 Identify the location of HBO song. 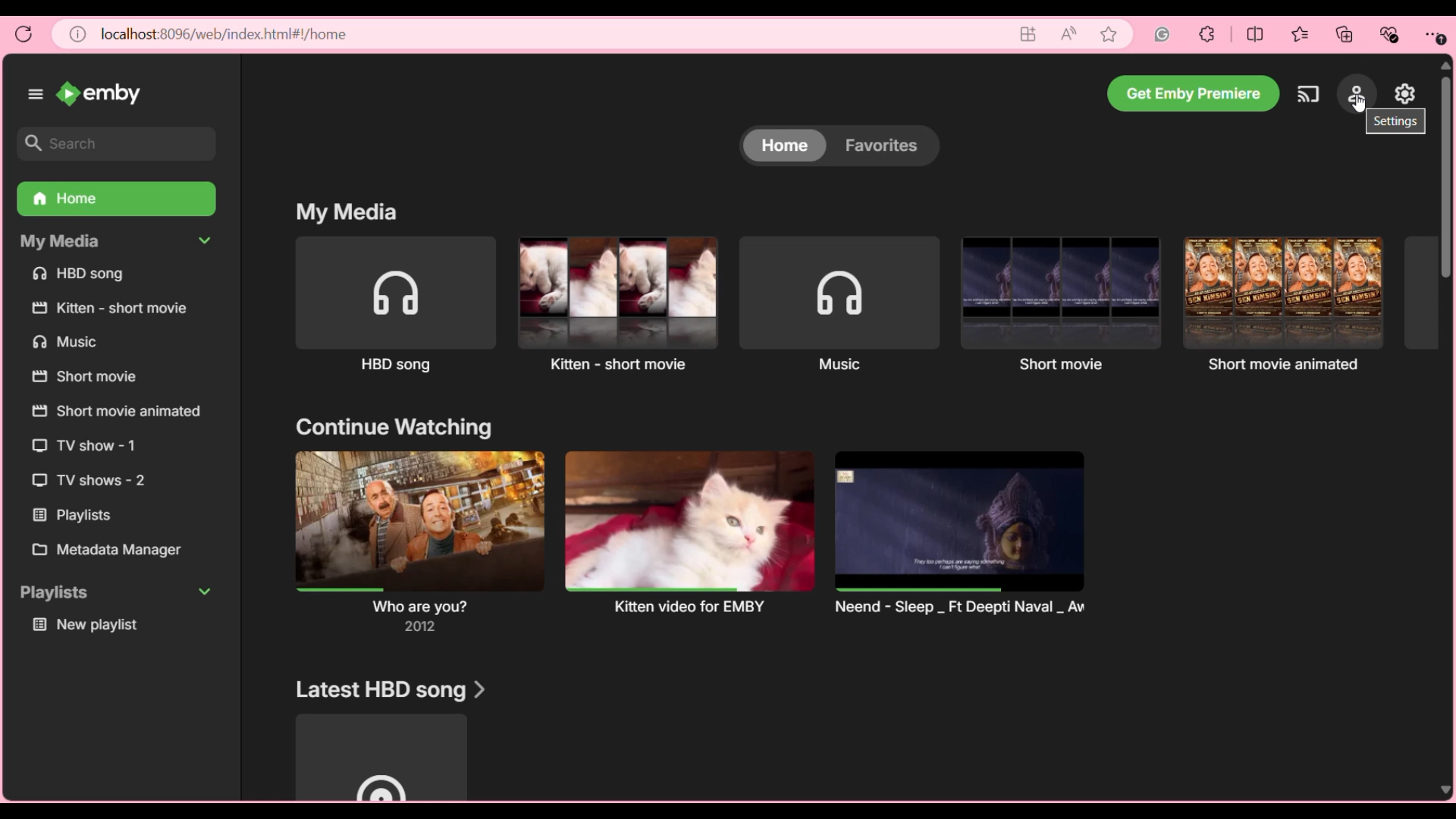
(84, 275).